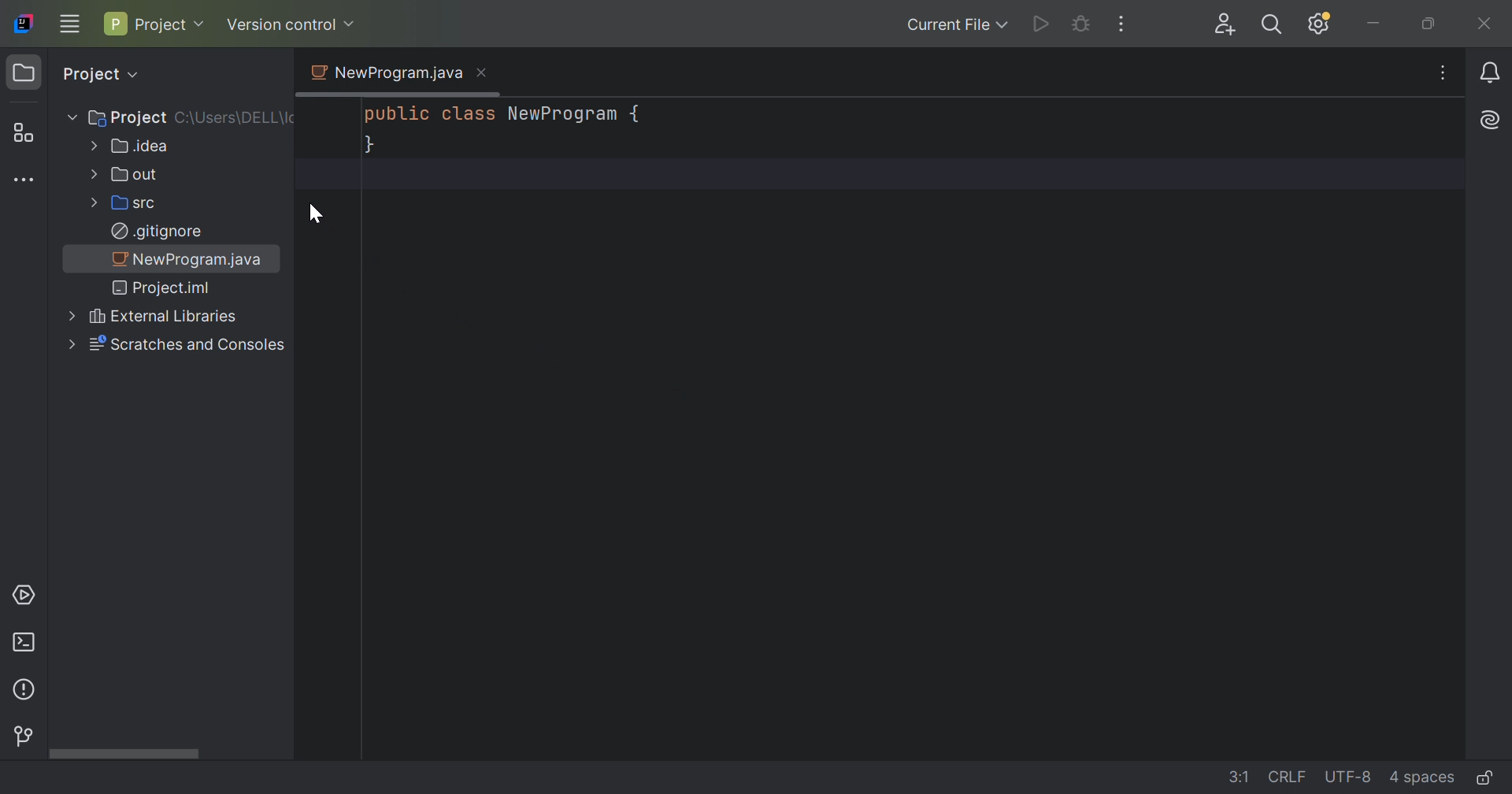 Image resolution: width=1512 pixels, height=794 pixels. What do you see at coordinates (1443, 74) in the screenshot?
I see `` at bounding box center [1443, 74].